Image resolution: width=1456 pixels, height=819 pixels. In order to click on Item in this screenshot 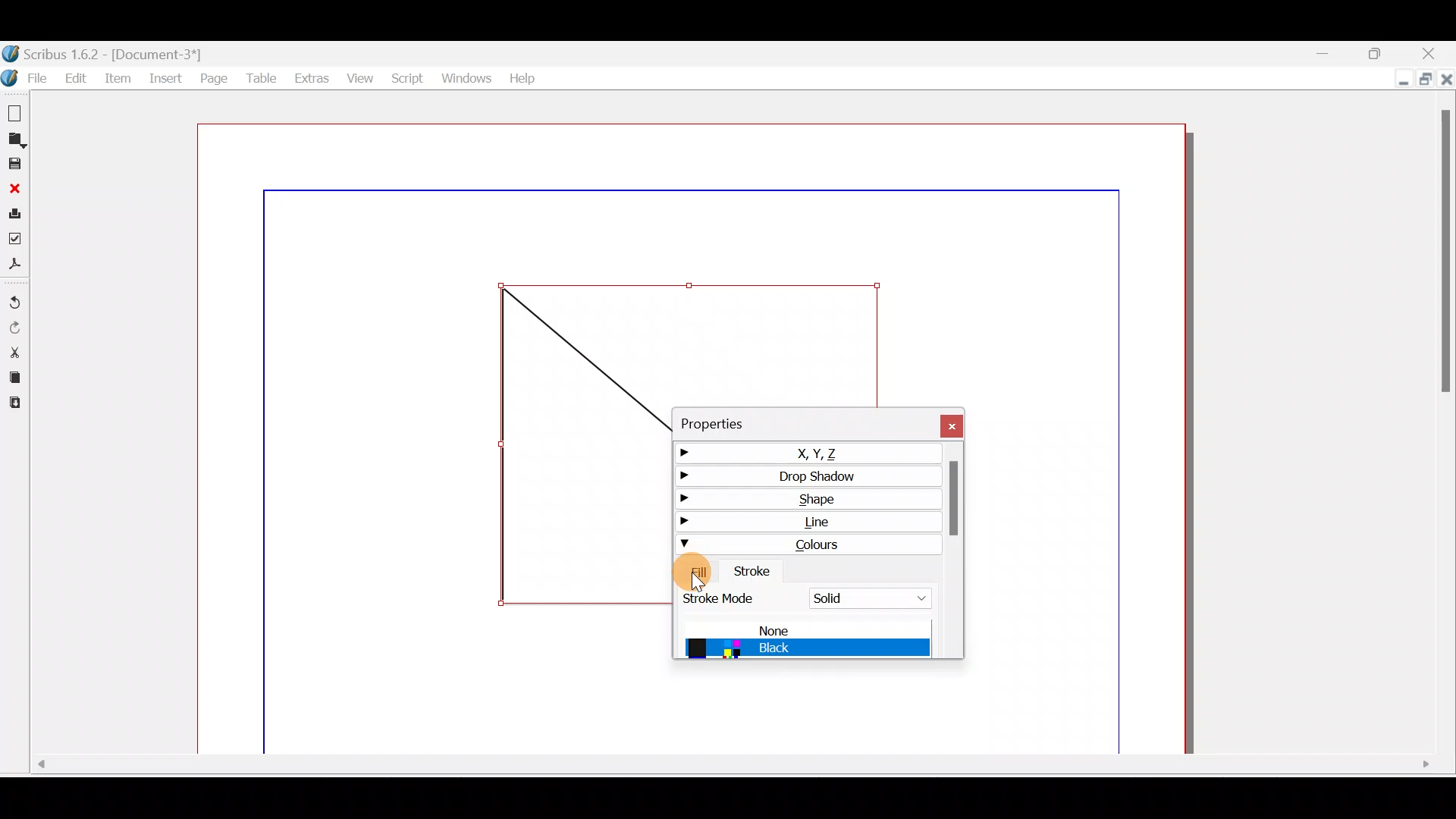, I will do `click(118, 81)`.